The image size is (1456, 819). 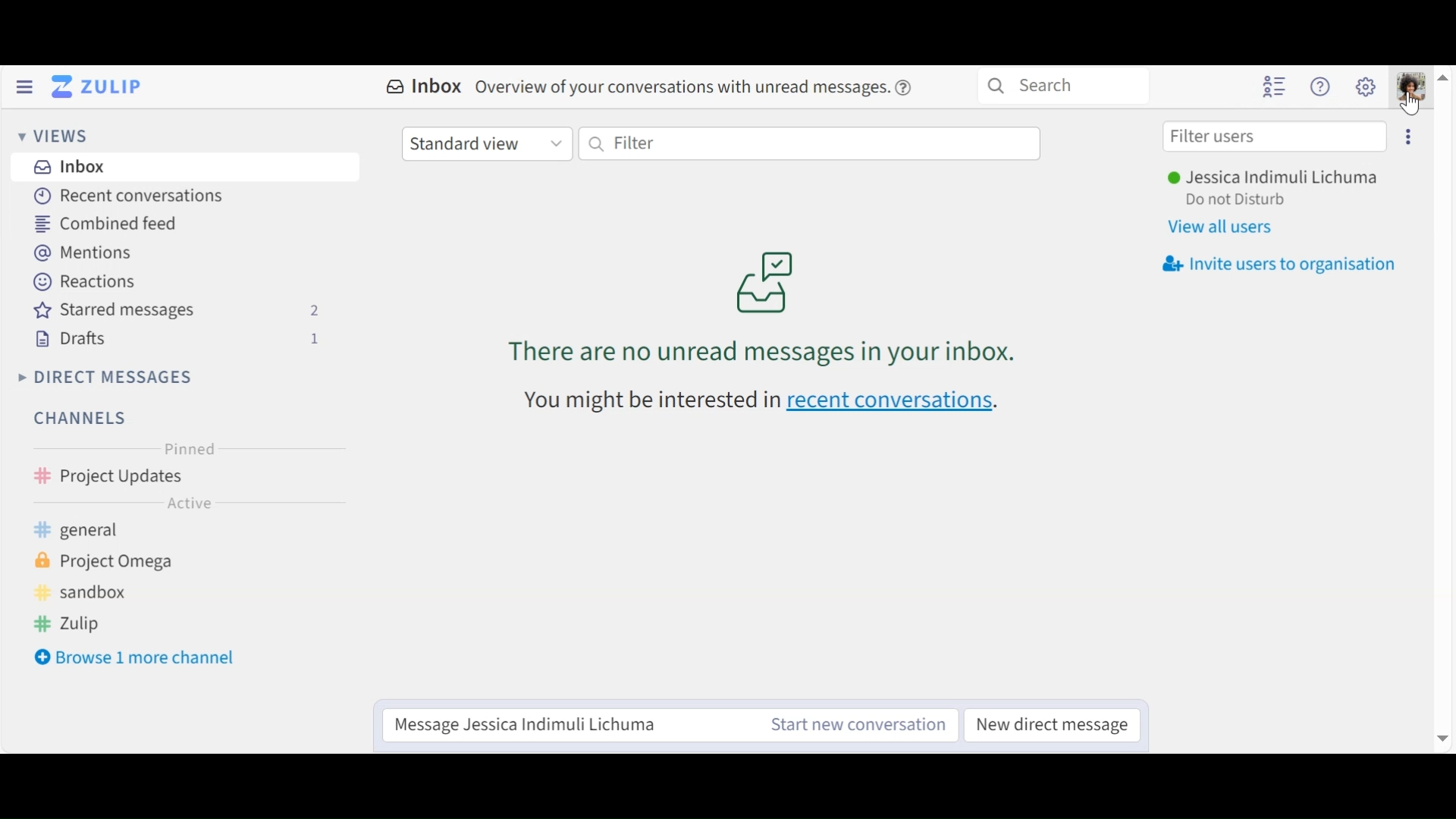 What do you see at coordinates (1276, 180) in the screenshot?
I see `Use` at bounding box center [1276, 180].